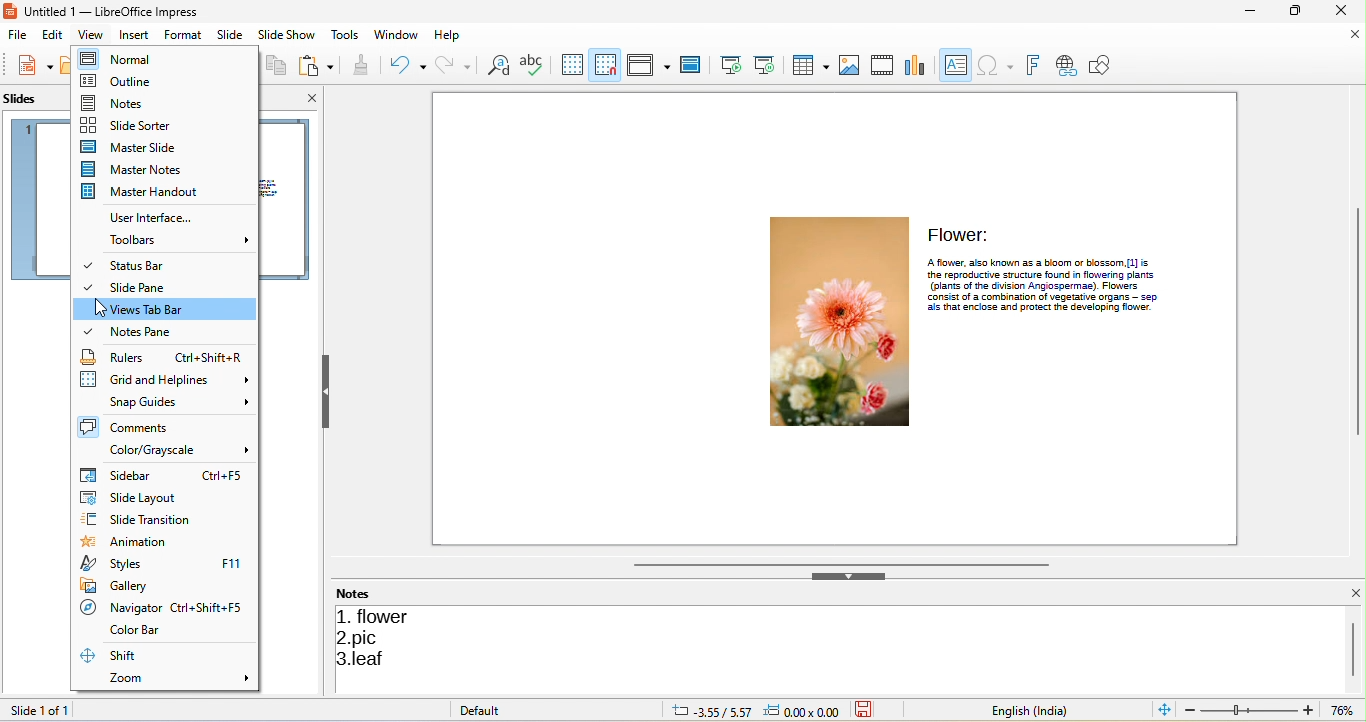 Image resolution: width=1366 pixels, height=722 pixels. What do you see at coordinates (344, 36) in the screenshot?
I see `tools` at bounding box center [344, 36].